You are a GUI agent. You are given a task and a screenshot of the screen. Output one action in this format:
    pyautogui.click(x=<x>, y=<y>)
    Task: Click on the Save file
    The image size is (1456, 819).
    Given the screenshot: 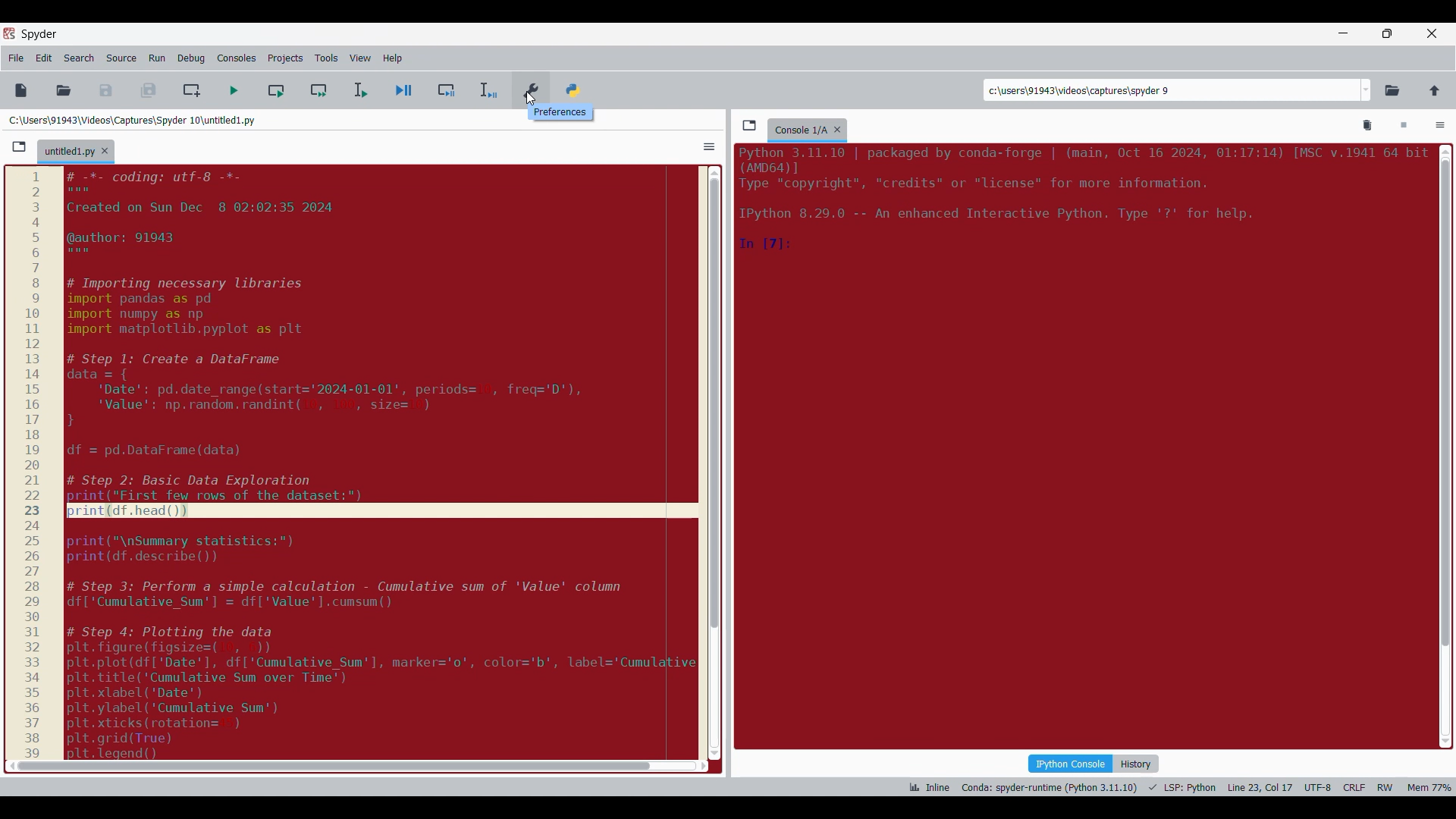 What is the action you would take?
    pyautogui.click(x=107, y=90)
    